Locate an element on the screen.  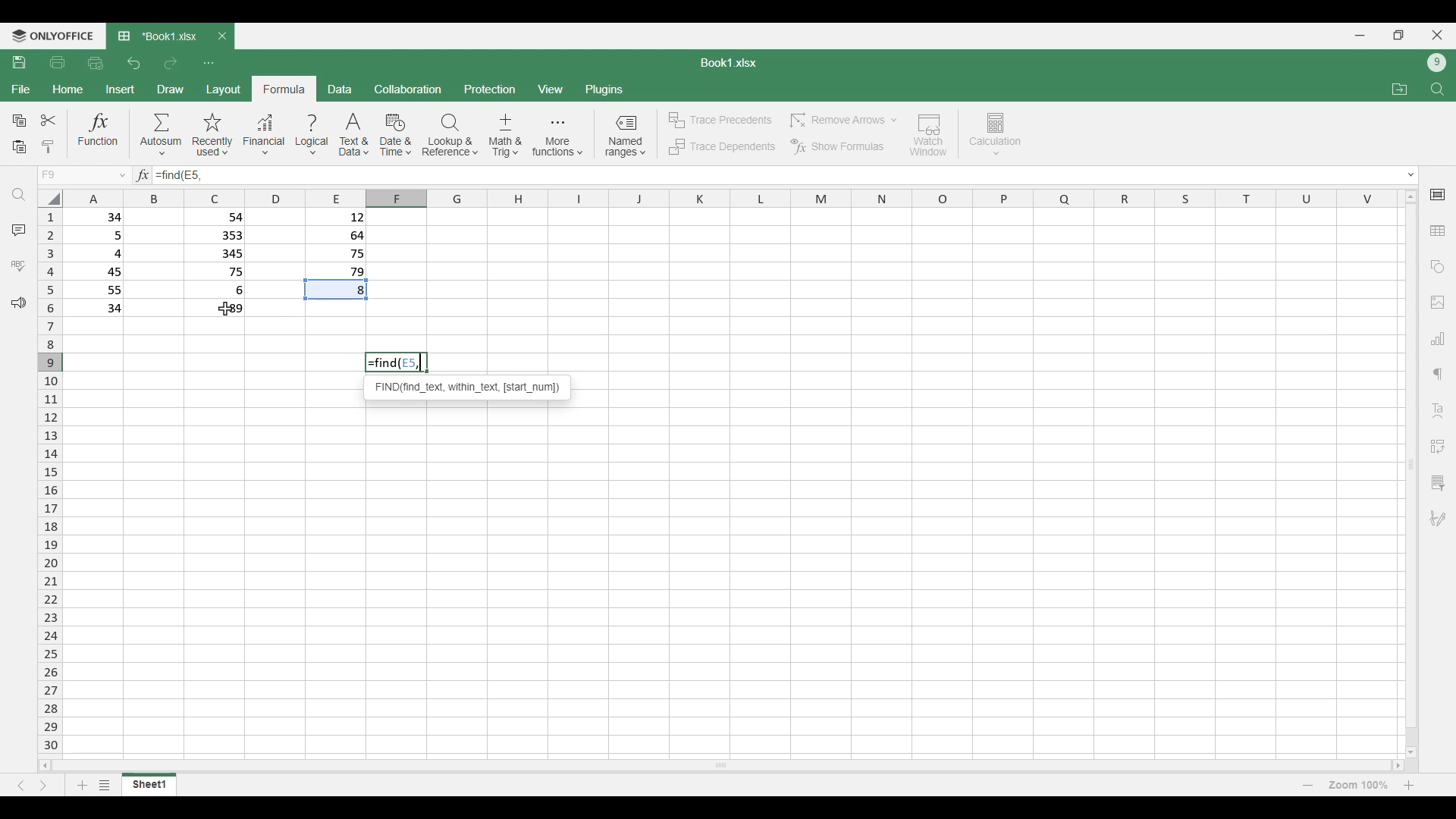
Paragraph setting is located at coordinates (1439, 375).